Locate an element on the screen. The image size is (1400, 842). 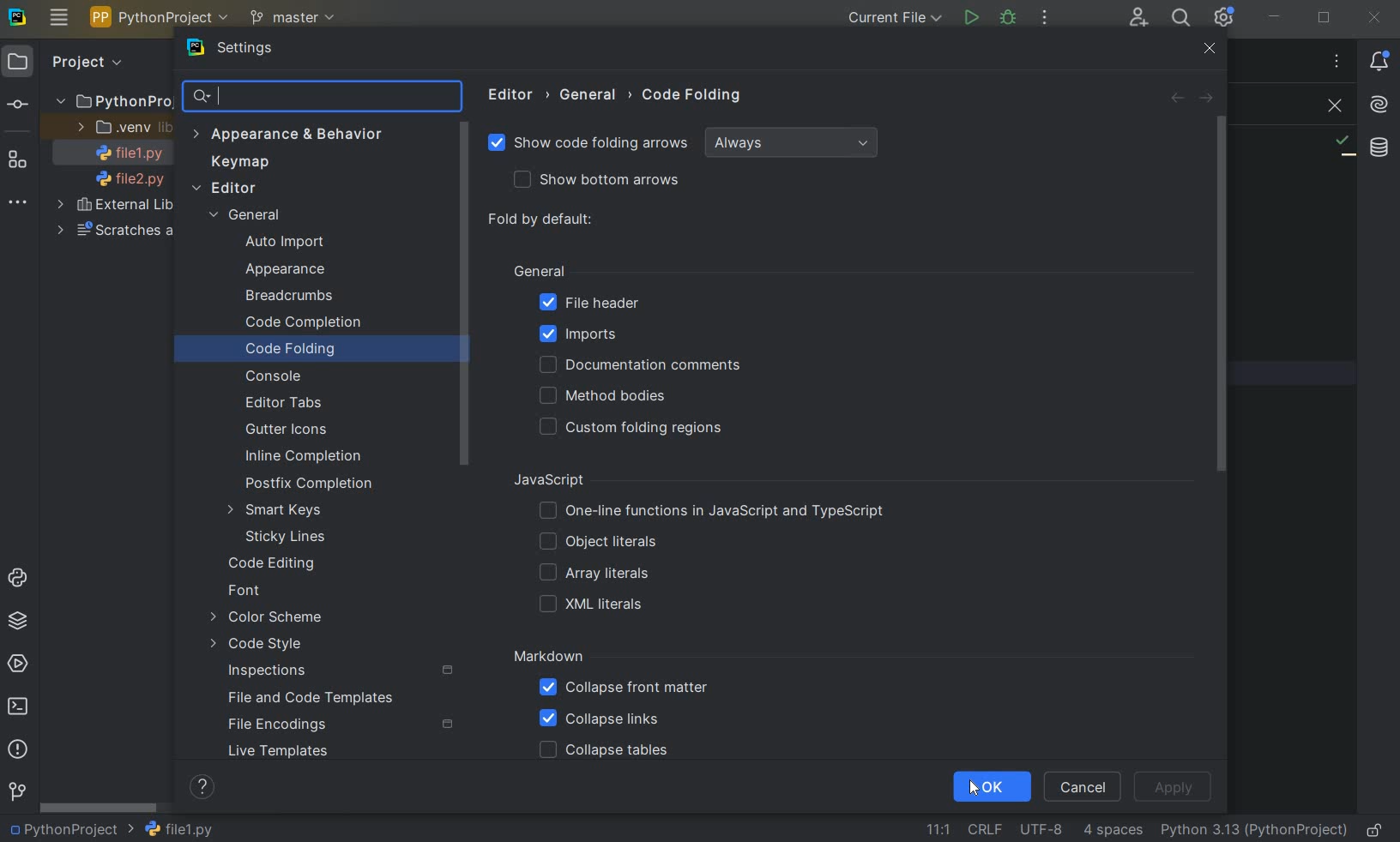
FILE ENCODING is located at coordinates (1038, 829).